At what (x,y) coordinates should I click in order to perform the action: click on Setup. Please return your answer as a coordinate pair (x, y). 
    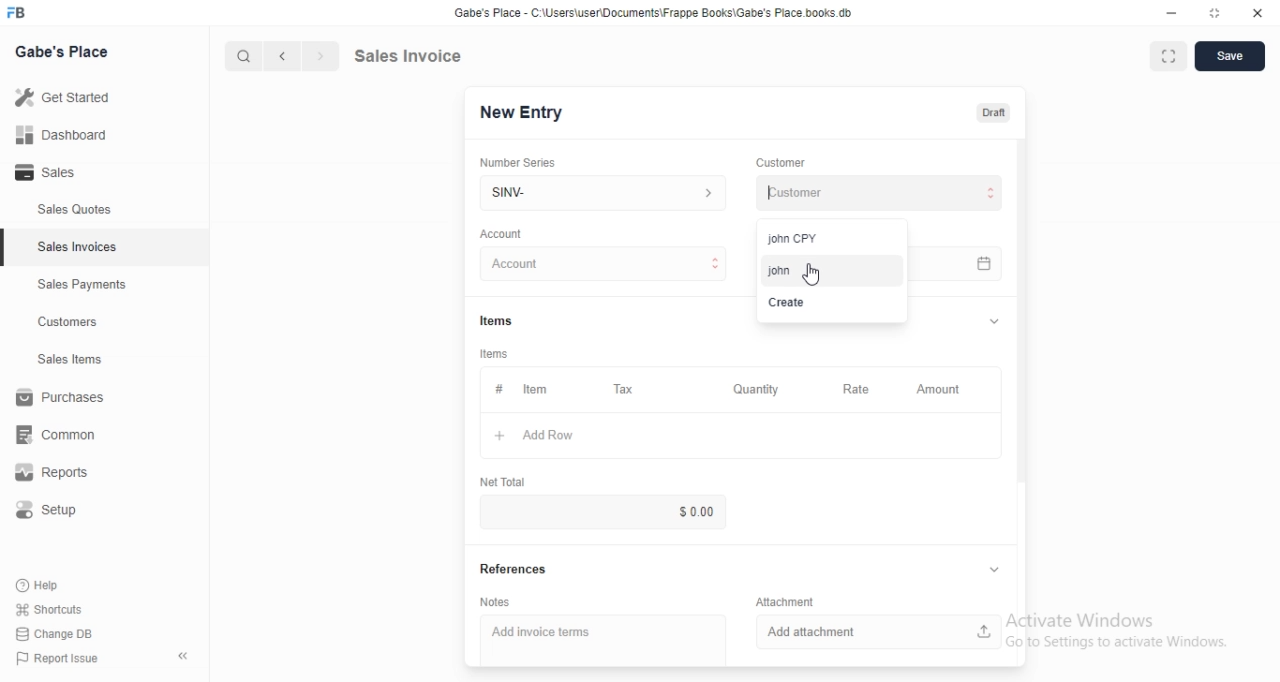
    Looking at the image, I should click on (57, 513).